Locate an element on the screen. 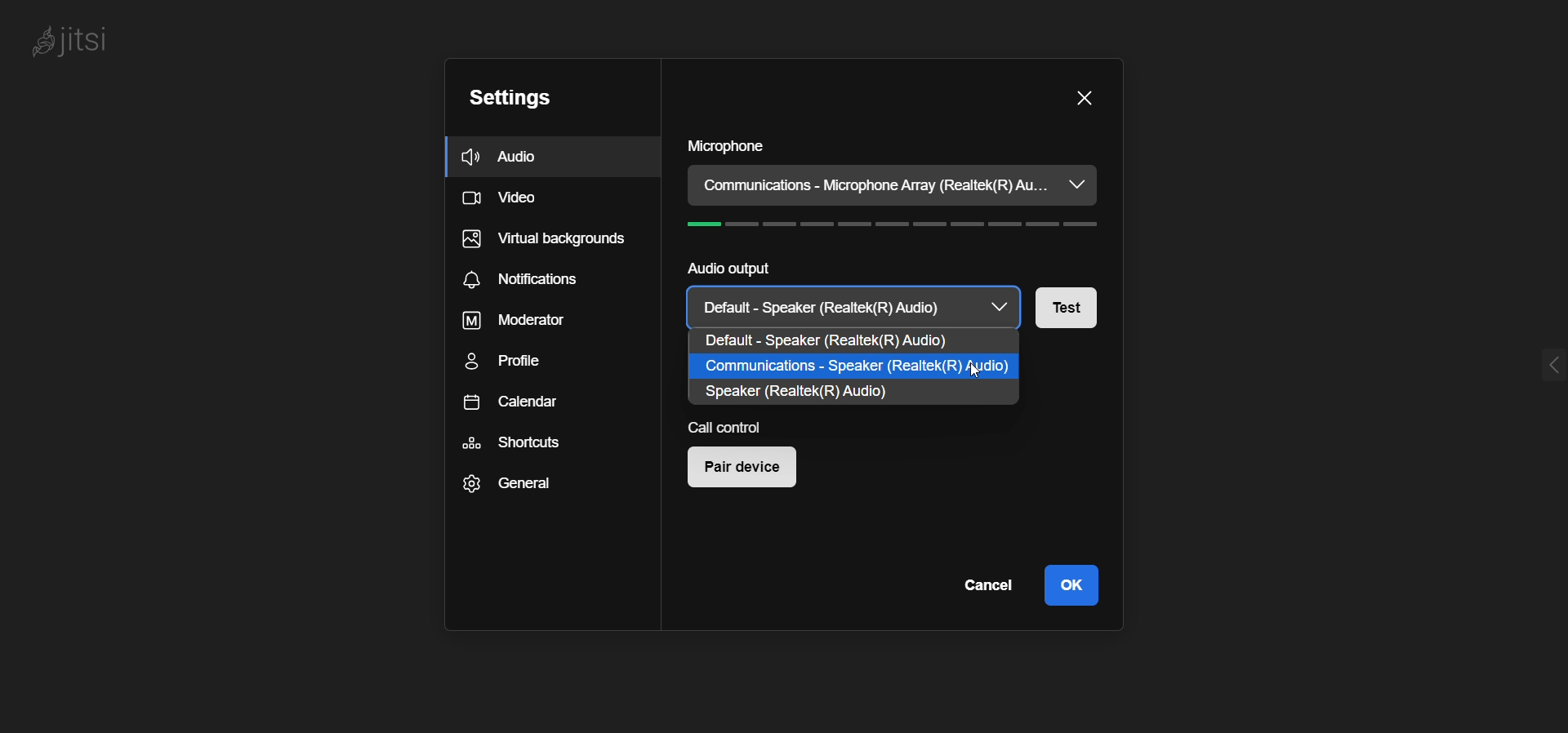  call control is located at coordinates (736, 426).